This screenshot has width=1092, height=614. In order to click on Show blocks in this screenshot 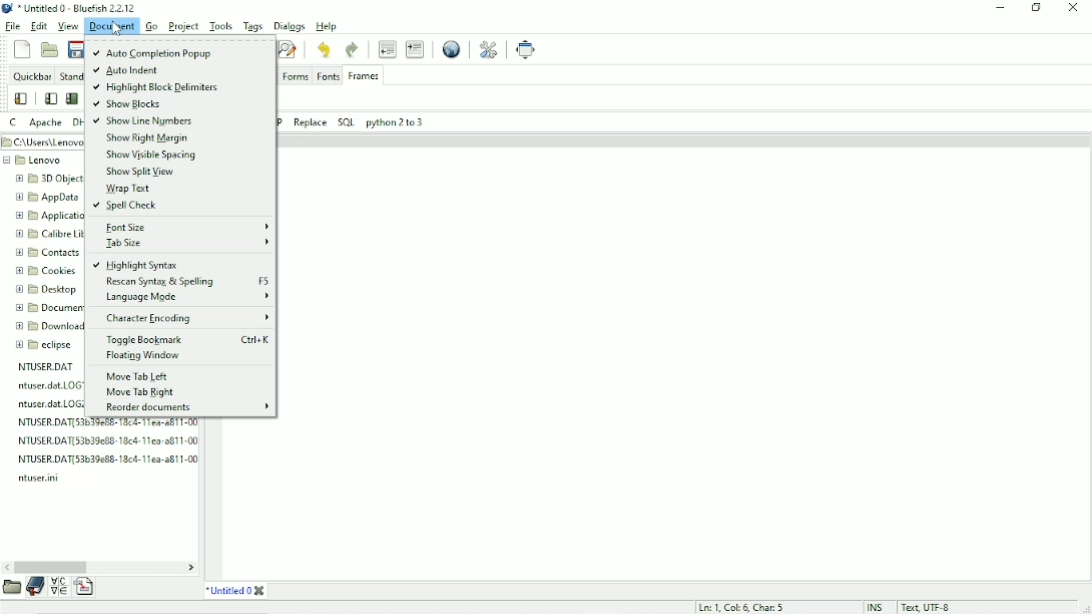, I will do `click(129, 105)`.